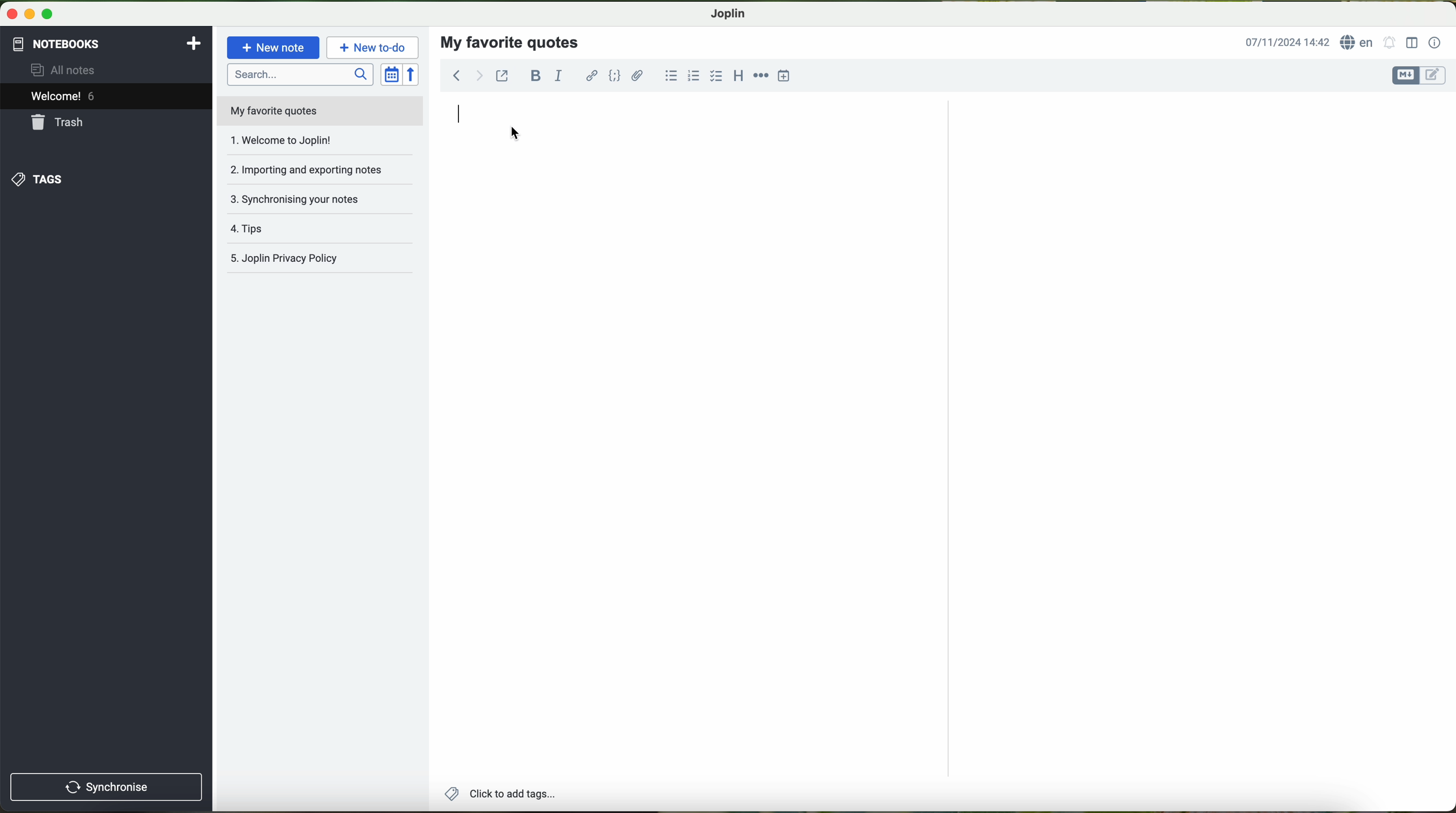  I want to click on date and hour, so click(1286, 41).